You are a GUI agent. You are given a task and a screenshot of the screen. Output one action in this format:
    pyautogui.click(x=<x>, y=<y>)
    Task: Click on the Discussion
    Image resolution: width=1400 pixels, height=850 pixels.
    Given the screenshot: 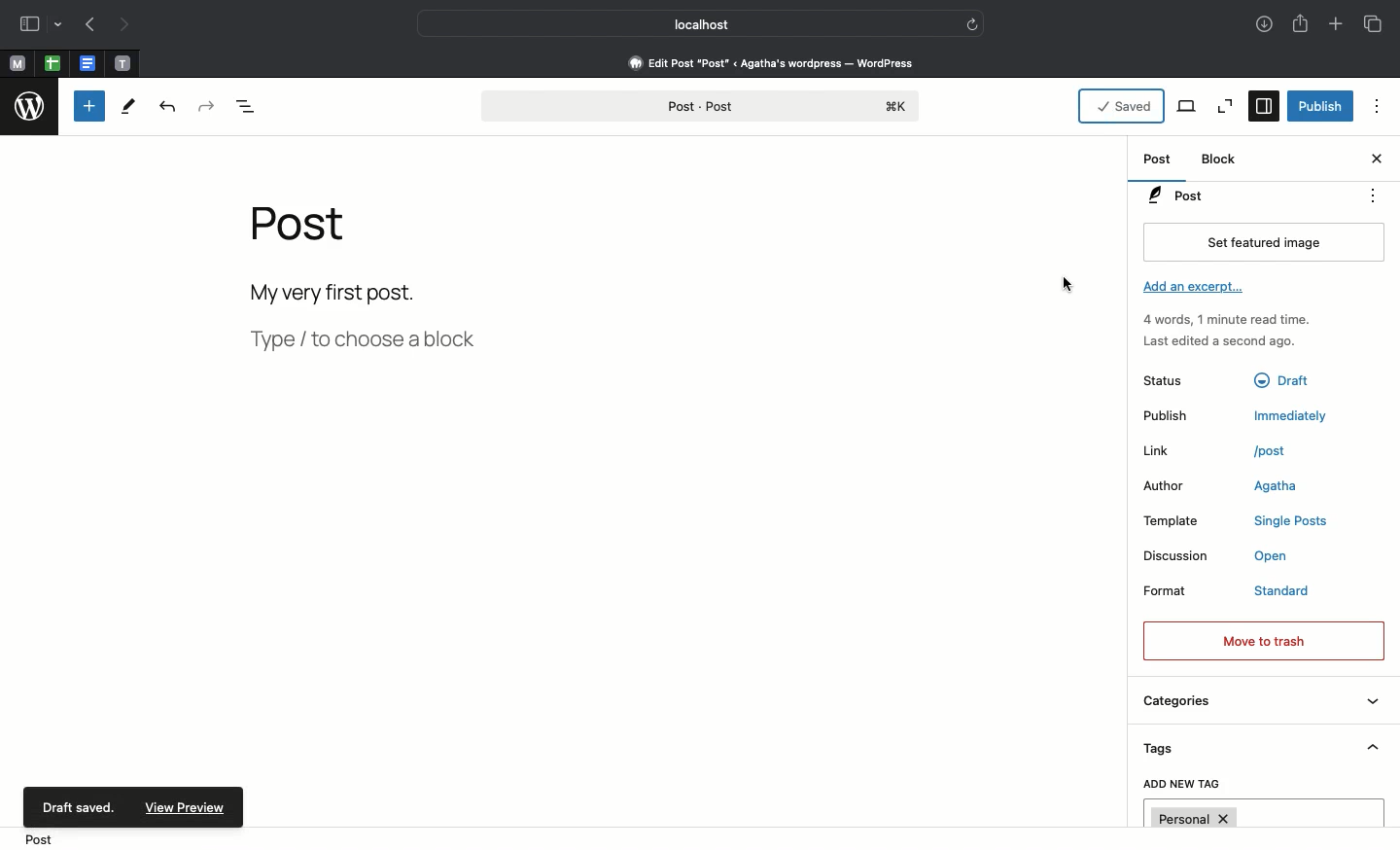 What is the action you would take?
    pyautogui.click(x=1176, y=557)
    